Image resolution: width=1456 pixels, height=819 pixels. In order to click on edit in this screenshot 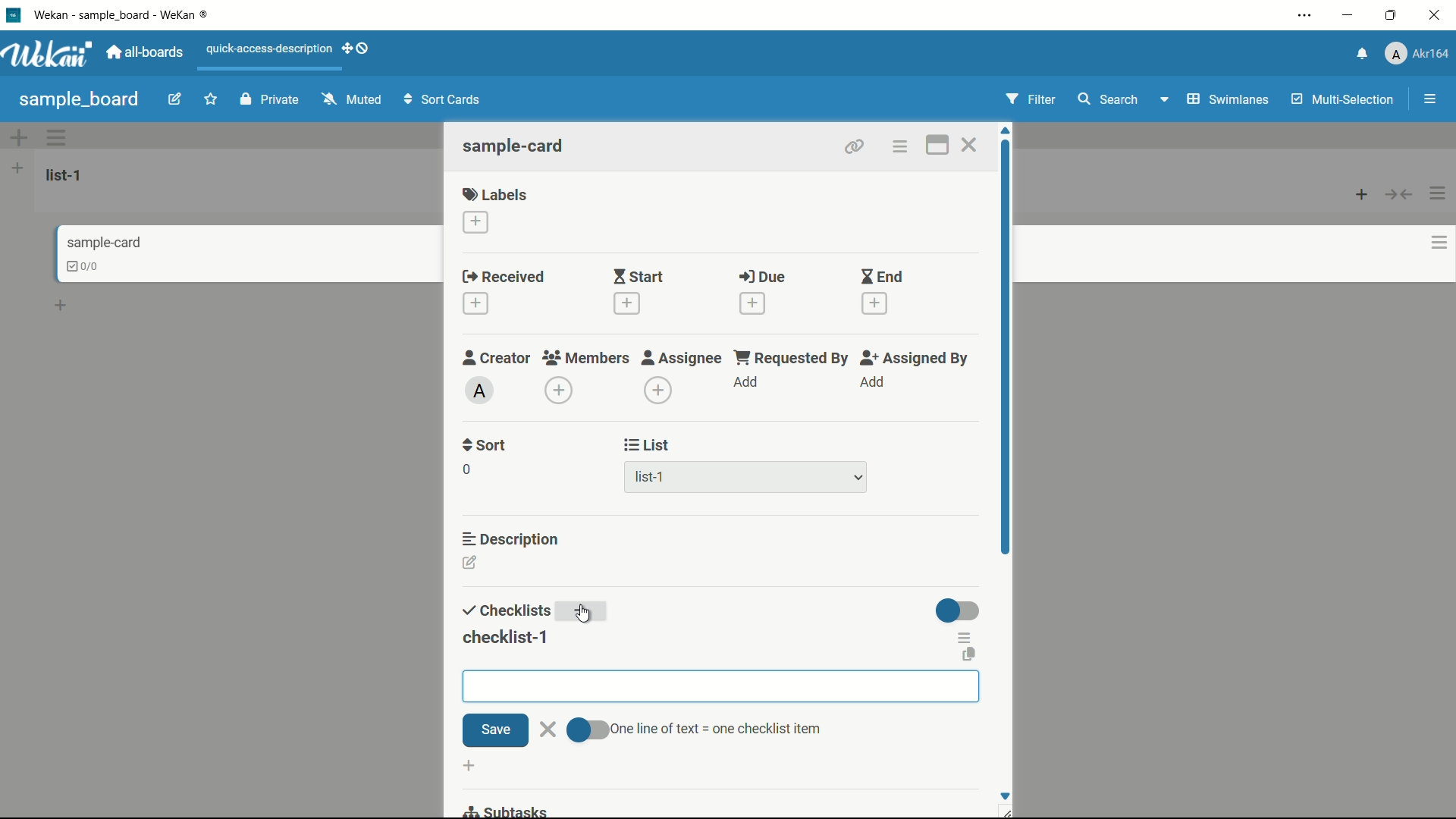, I will do `click(175, 101)`.